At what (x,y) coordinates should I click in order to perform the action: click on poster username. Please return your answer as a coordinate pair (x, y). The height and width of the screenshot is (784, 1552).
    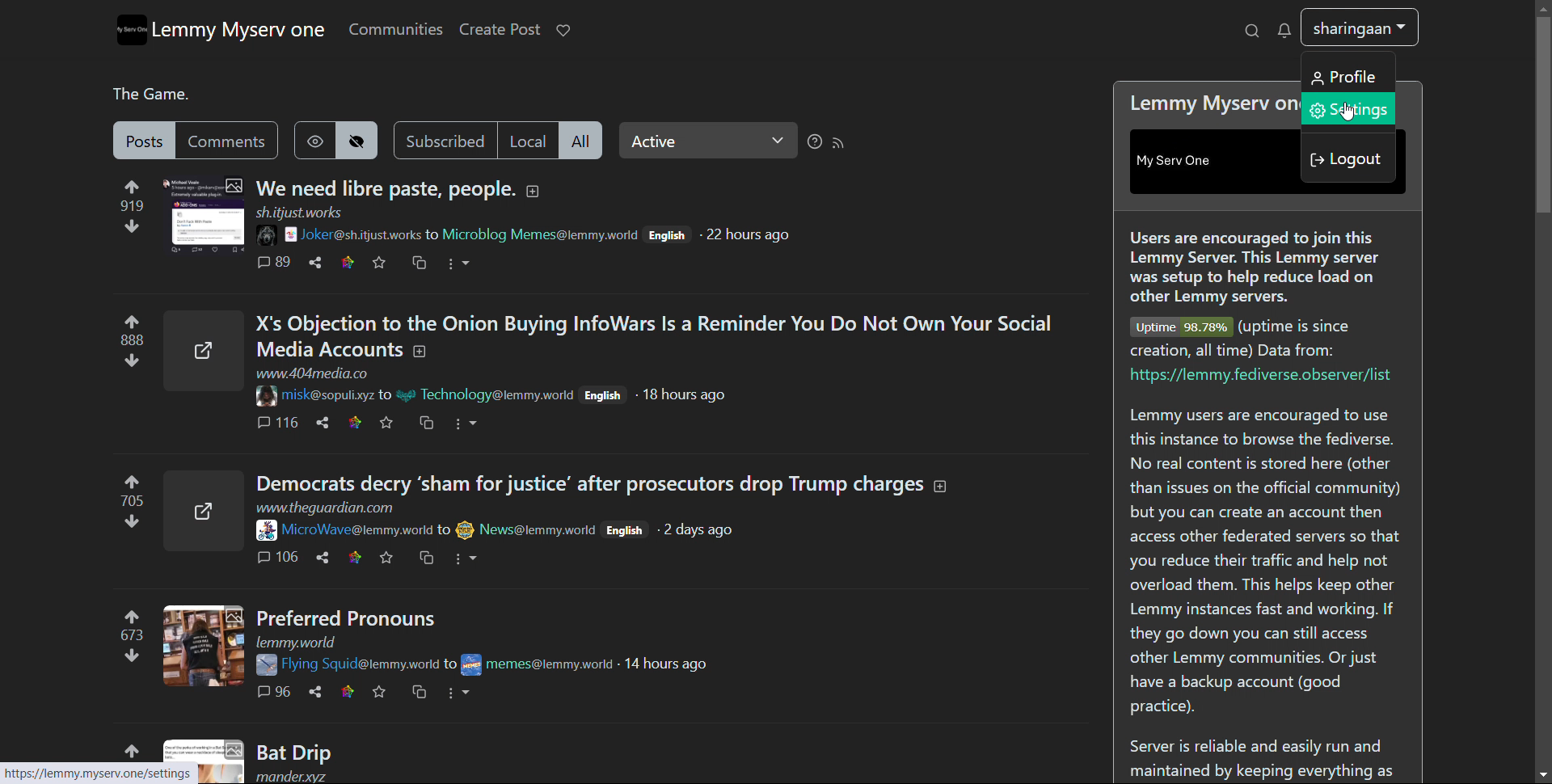
    Looking at the image, I should click on (357, 664).